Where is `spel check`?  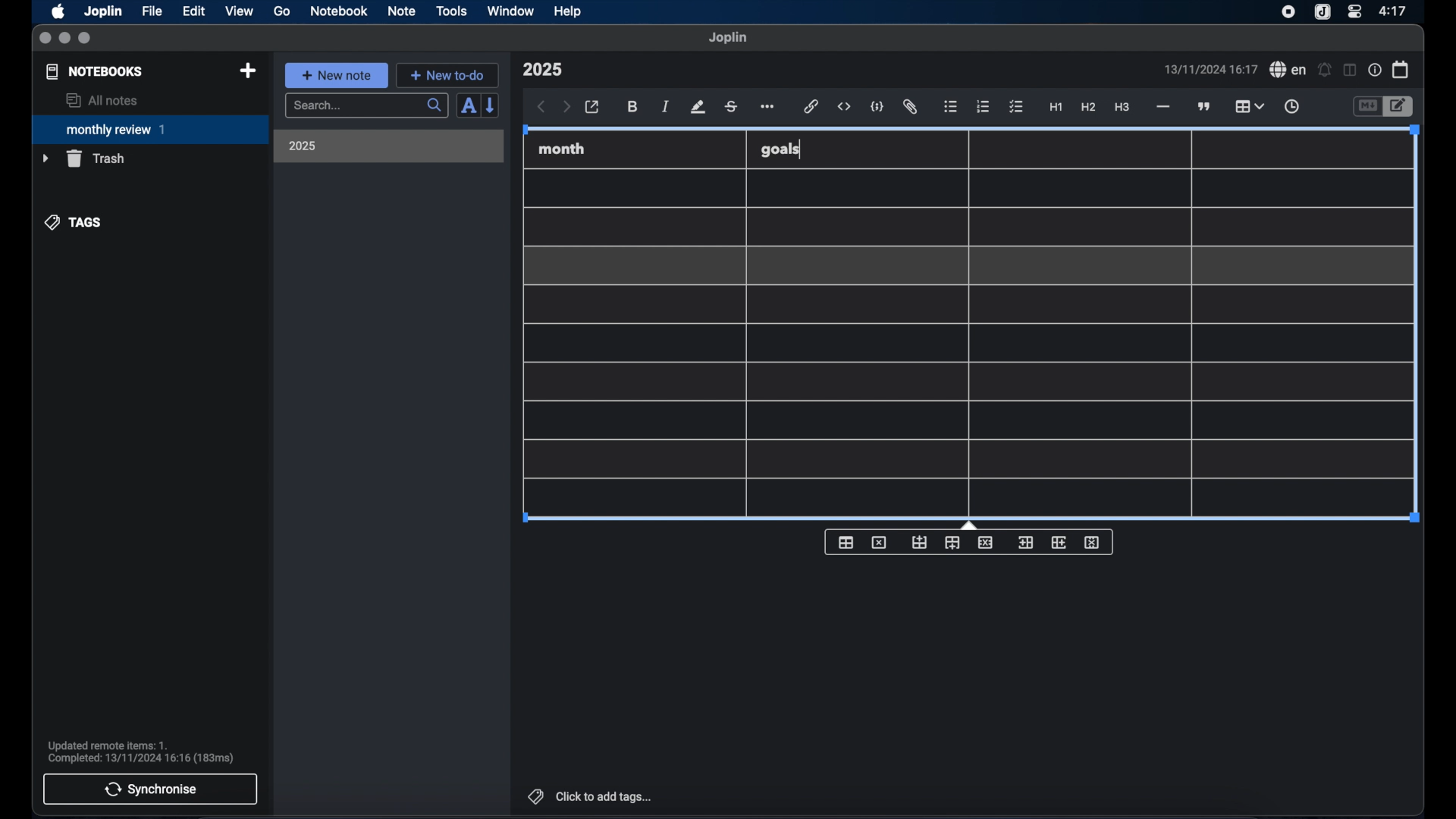
spel check is located at coordinates (1288, 70).